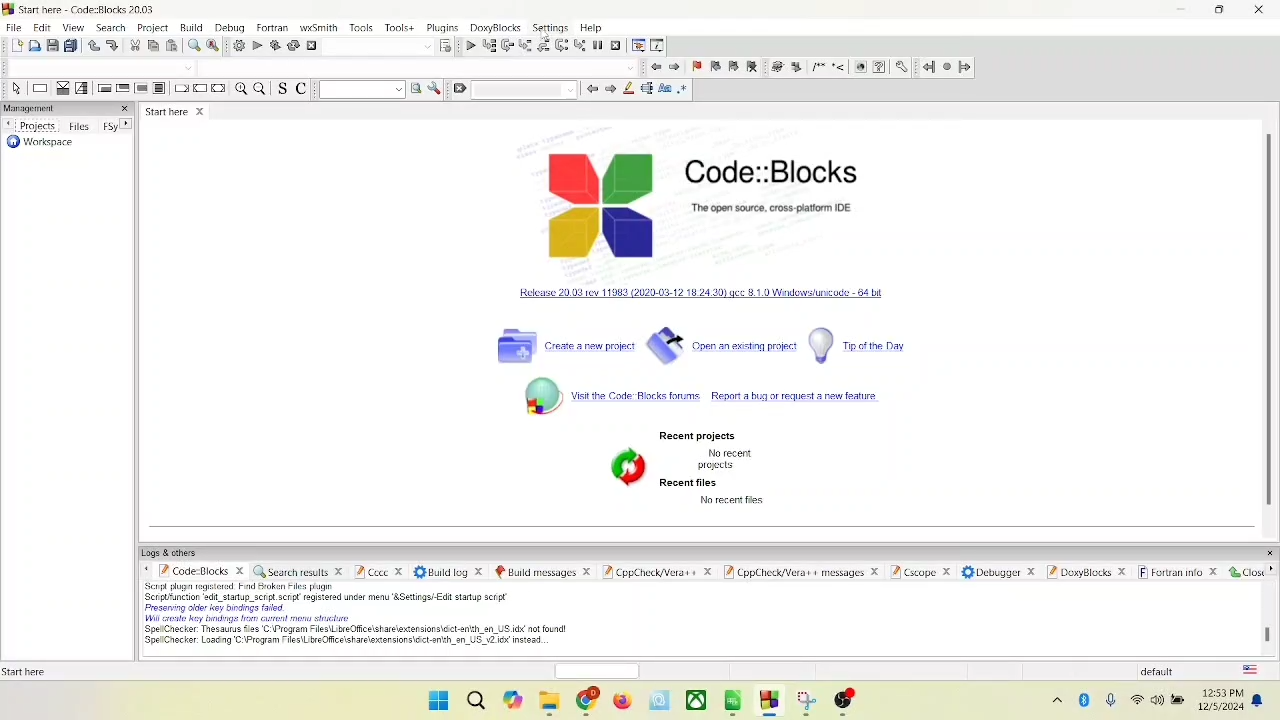  What do you see at coordinates (275, 48) in the screenshot?
I see `build and run` at bounding box center [275, 48].